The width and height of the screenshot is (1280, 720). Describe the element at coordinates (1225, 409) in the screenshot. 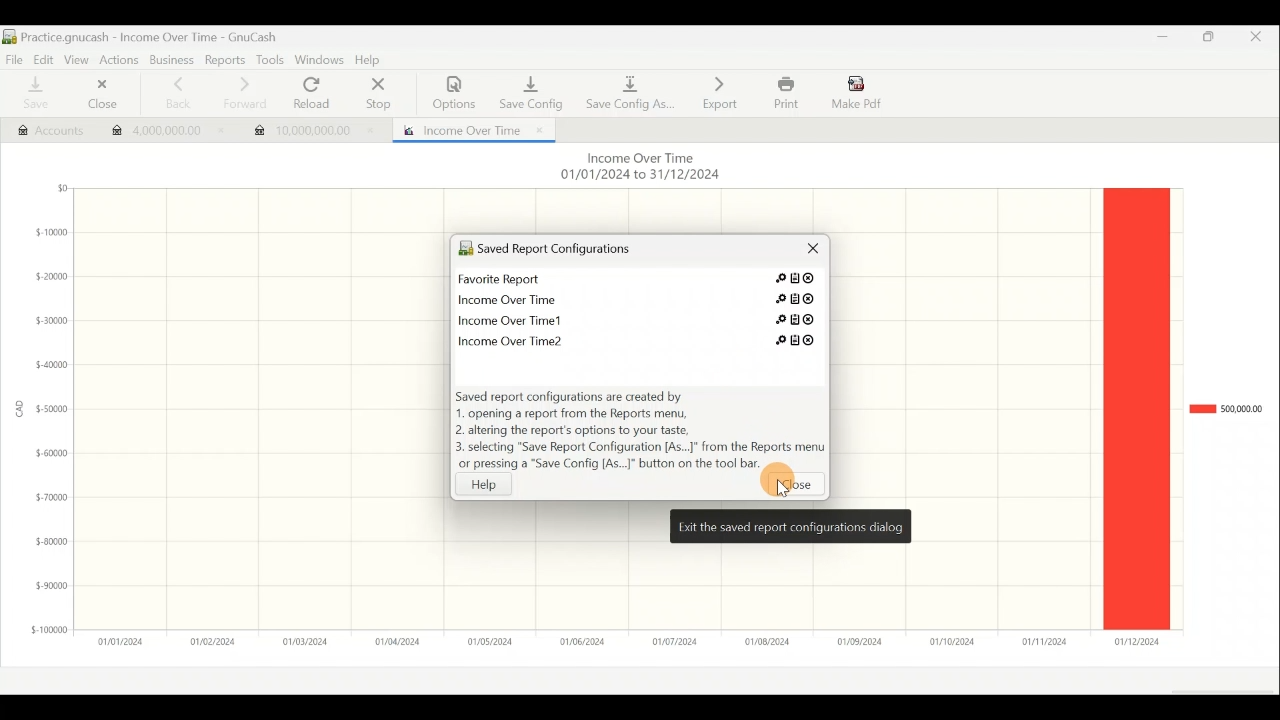

I see `Chart legend` at that location.